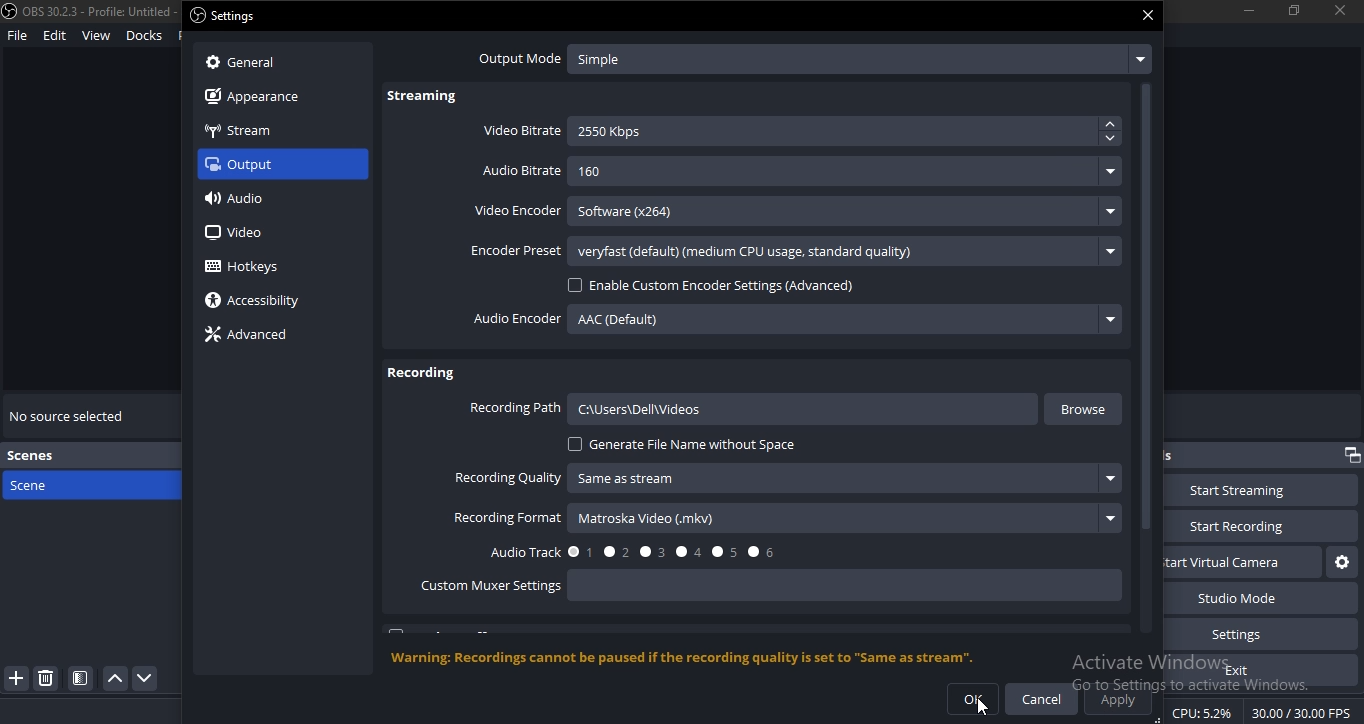  Describe the element at coordinates (1242, 670) in the screenshot. I see `exit` at that location.